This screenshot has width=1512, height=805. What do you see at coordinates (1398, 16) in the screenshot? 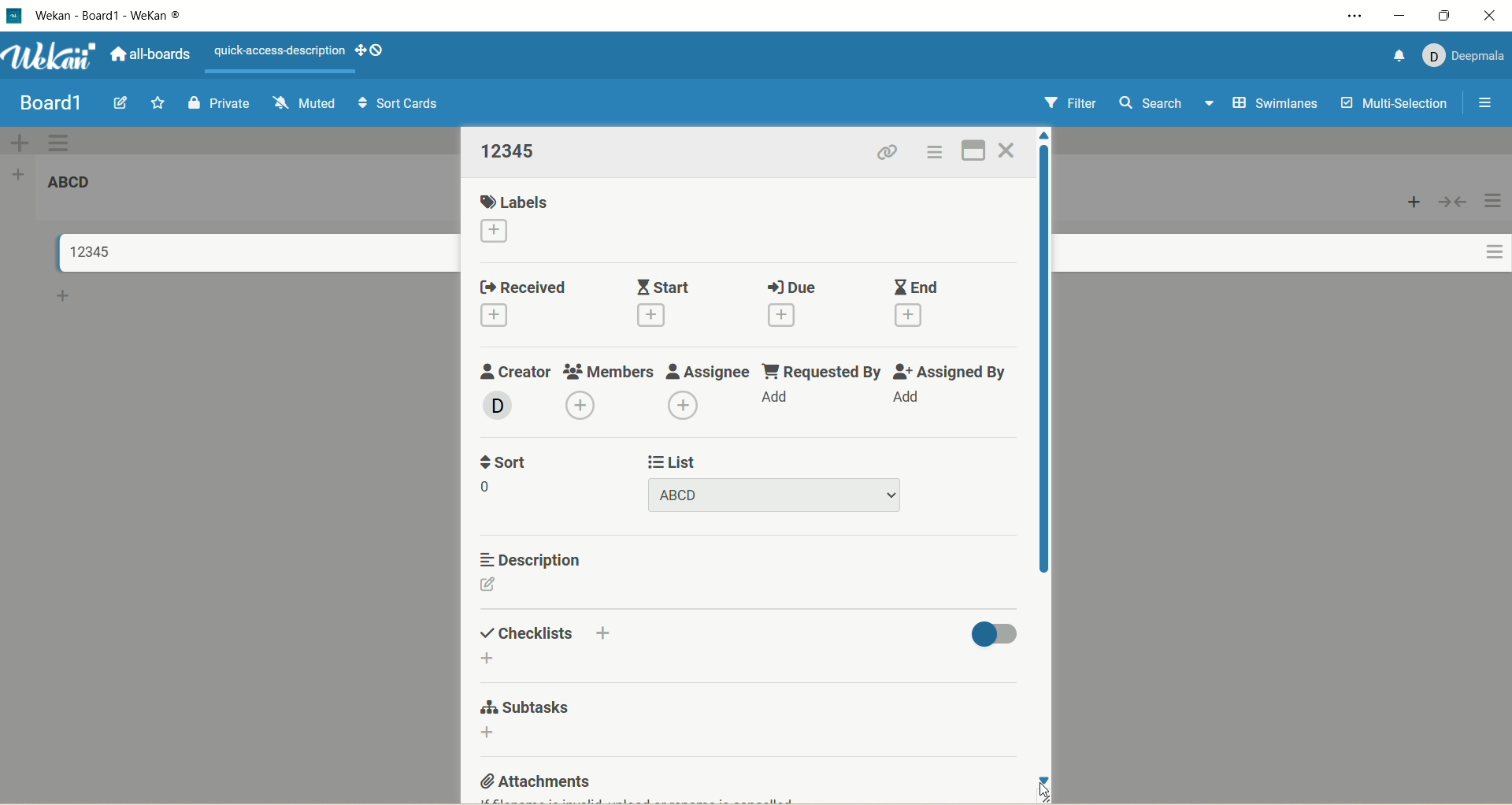
I see `minimize` at bounding box center [1398, 16].